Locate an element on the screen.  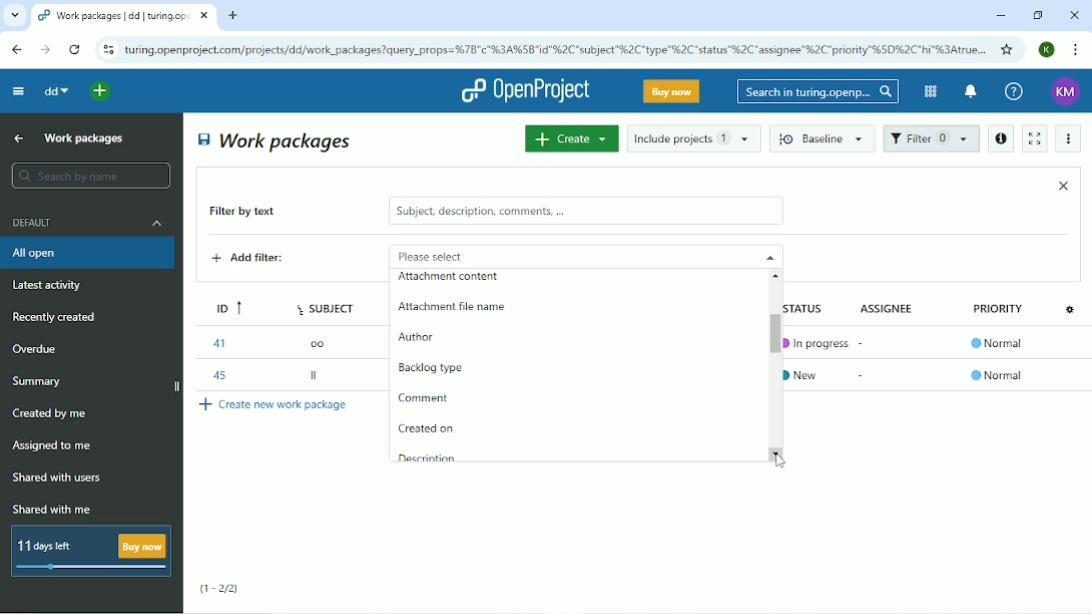
Minimize is located at coordinates (1000, 16).